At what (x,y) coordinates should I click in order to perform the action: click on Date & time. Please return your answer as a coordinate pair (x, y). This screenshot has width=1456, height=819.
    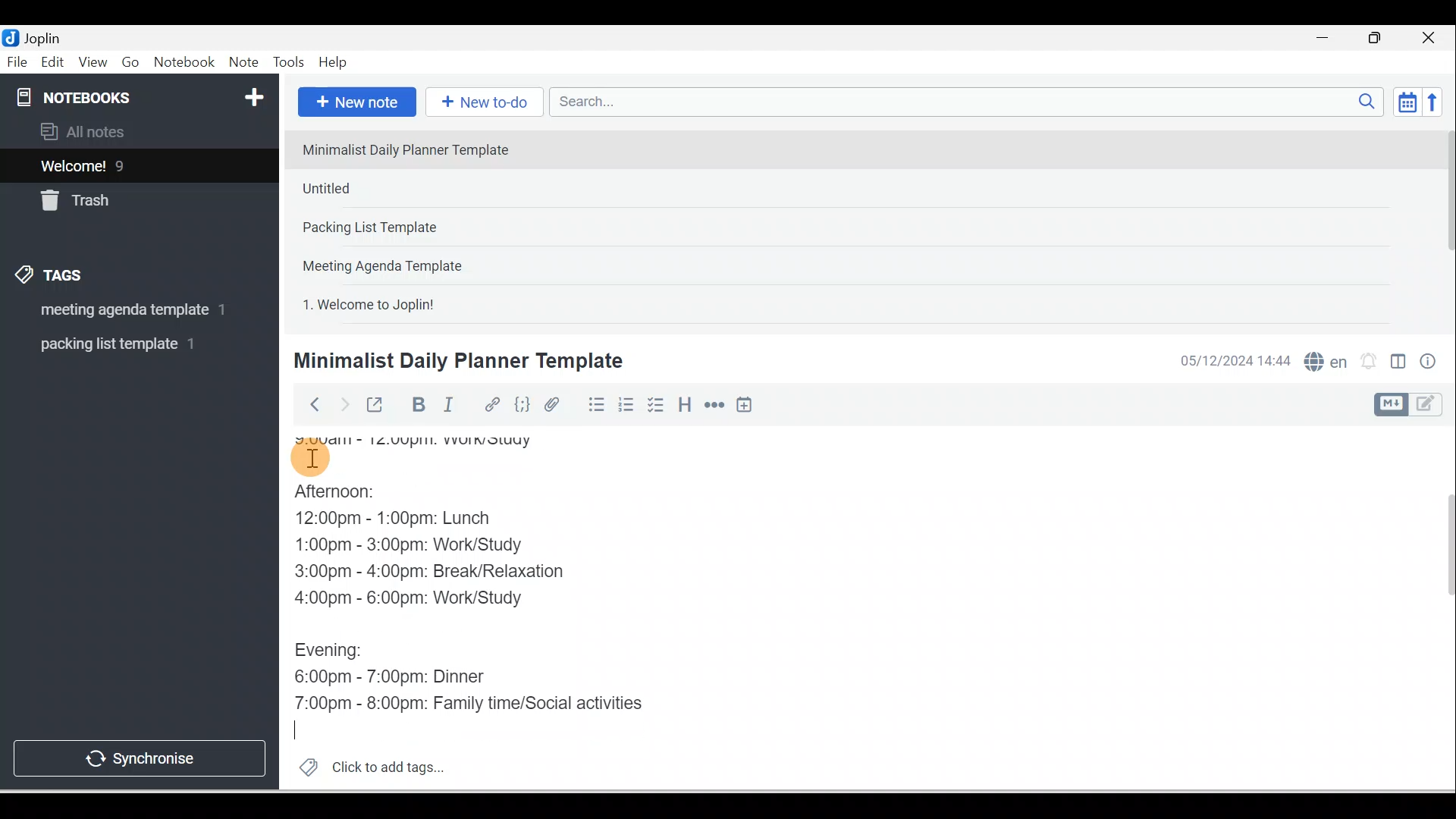
    Looking at the image, I should click on (1232, 361).